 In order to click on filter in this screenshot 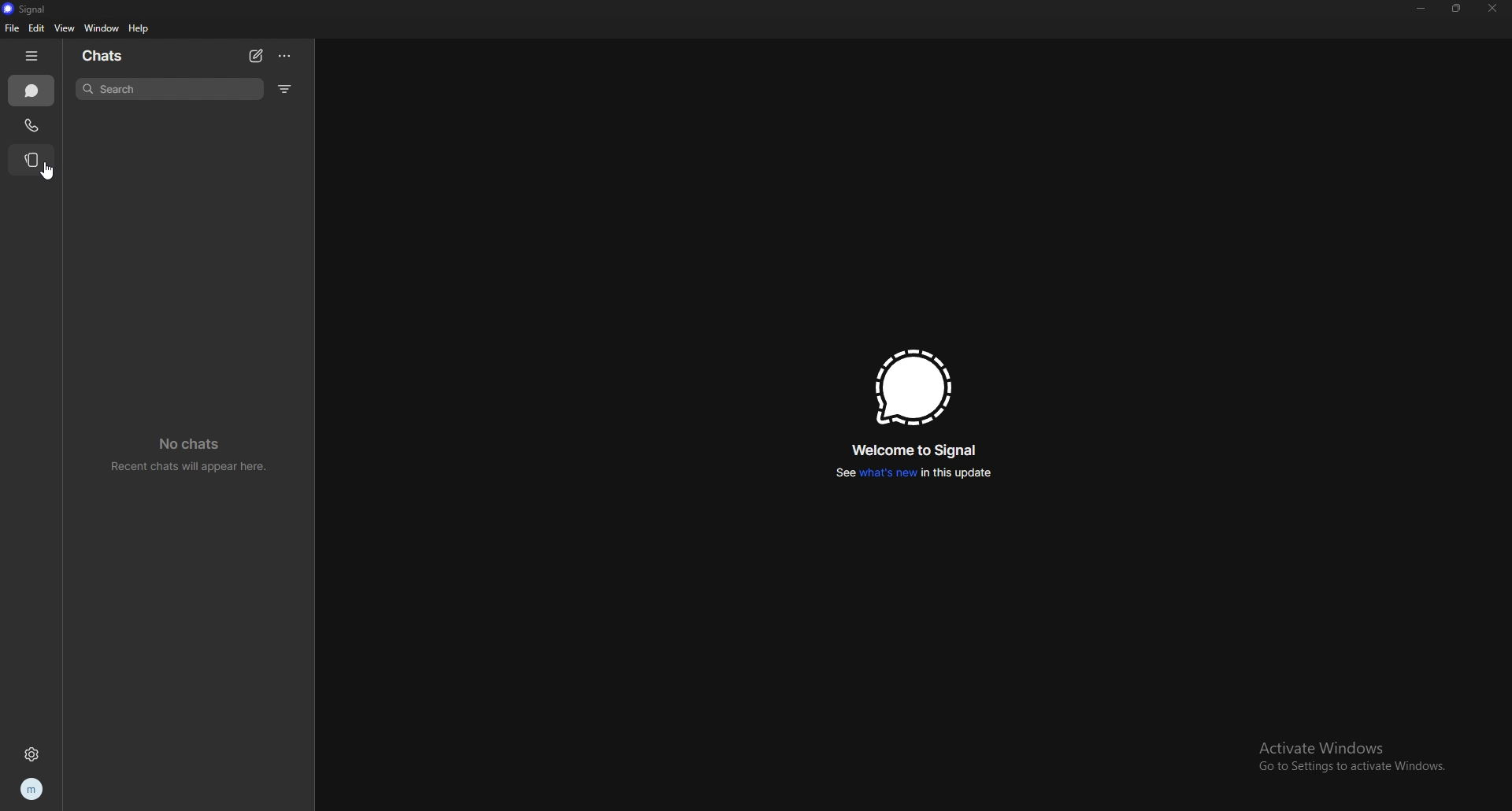, I will do `click(285, 90)`.